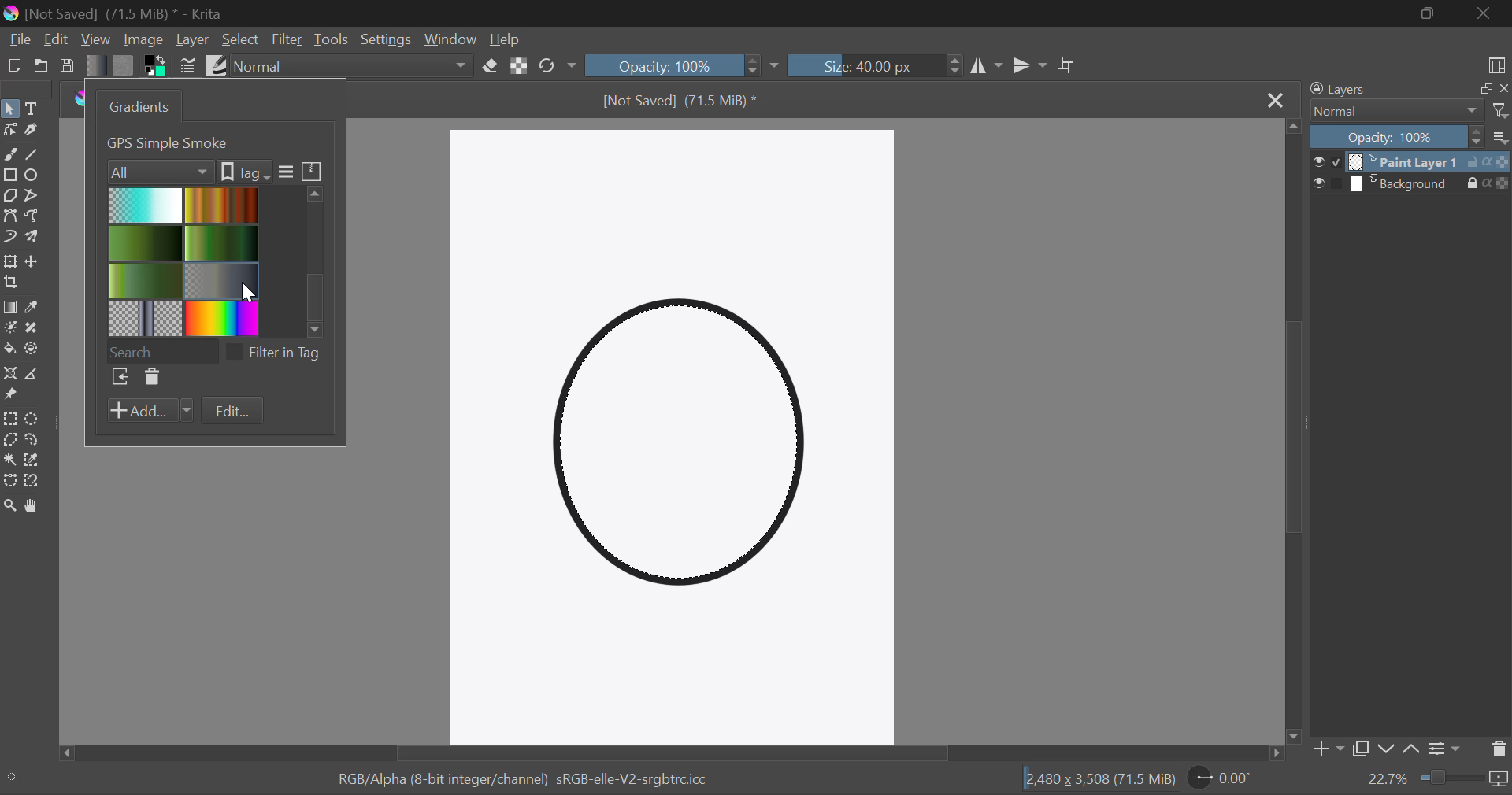 This screenshot has height=795, width=1512. Describe the element at coordinates (120, 377) in the screenshot. I see `Browse ` at that location.